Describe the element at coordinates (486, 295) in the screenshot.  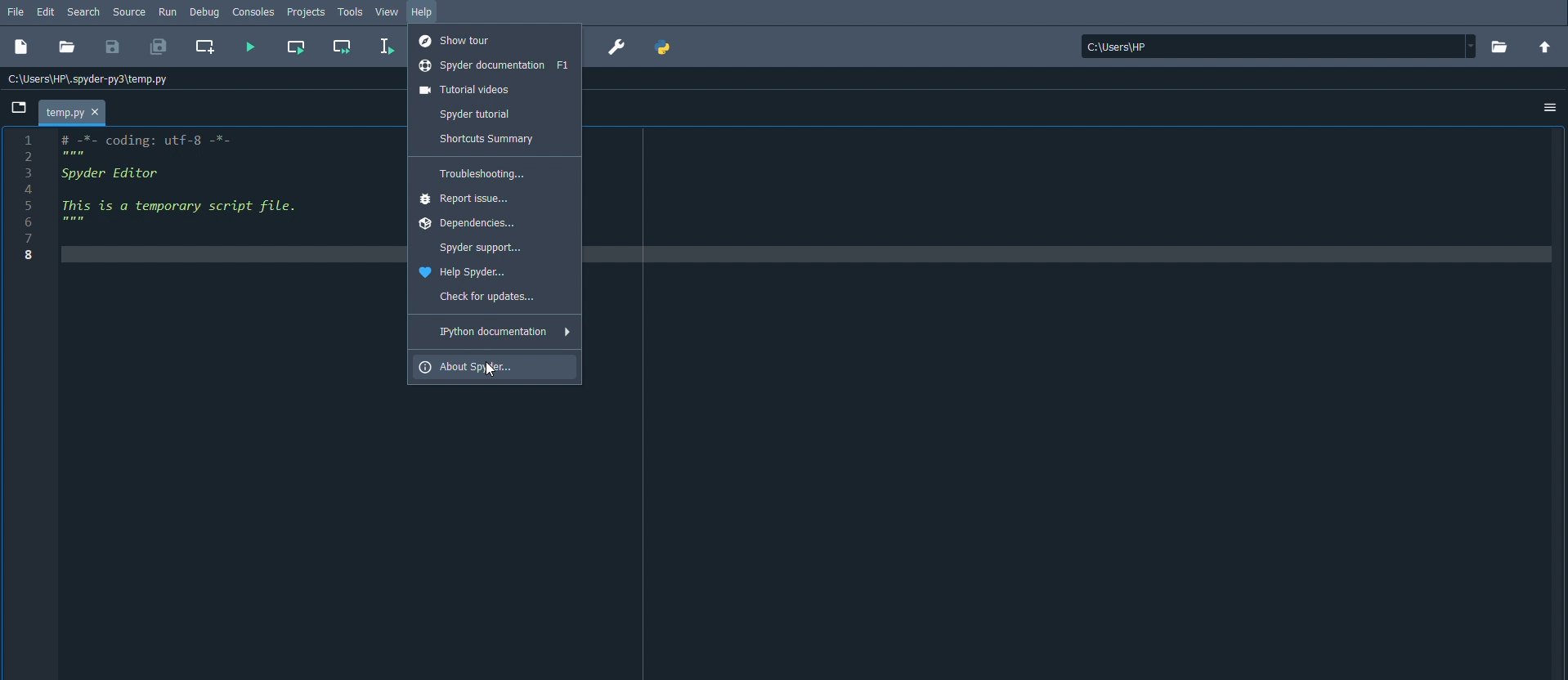
I see `Check for updates` at that location.